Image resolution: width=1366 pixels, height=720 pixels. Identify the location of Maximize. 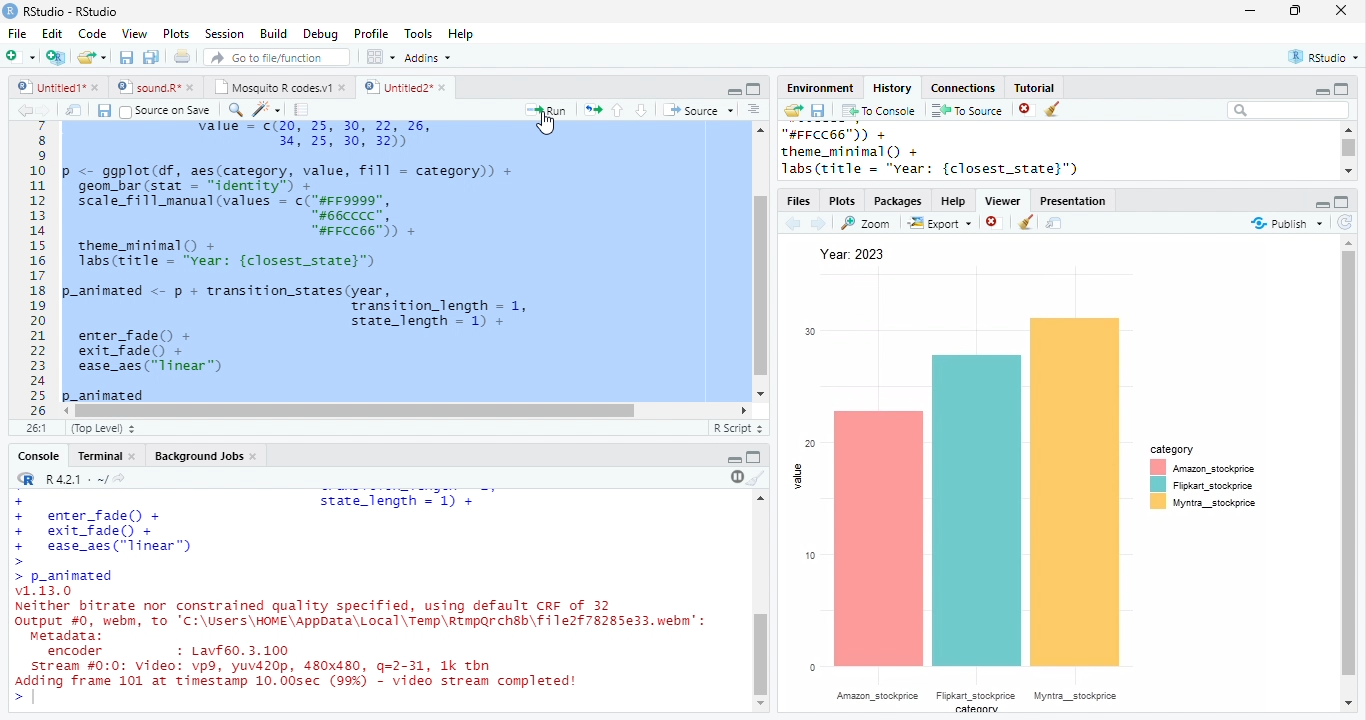
(754, 89).